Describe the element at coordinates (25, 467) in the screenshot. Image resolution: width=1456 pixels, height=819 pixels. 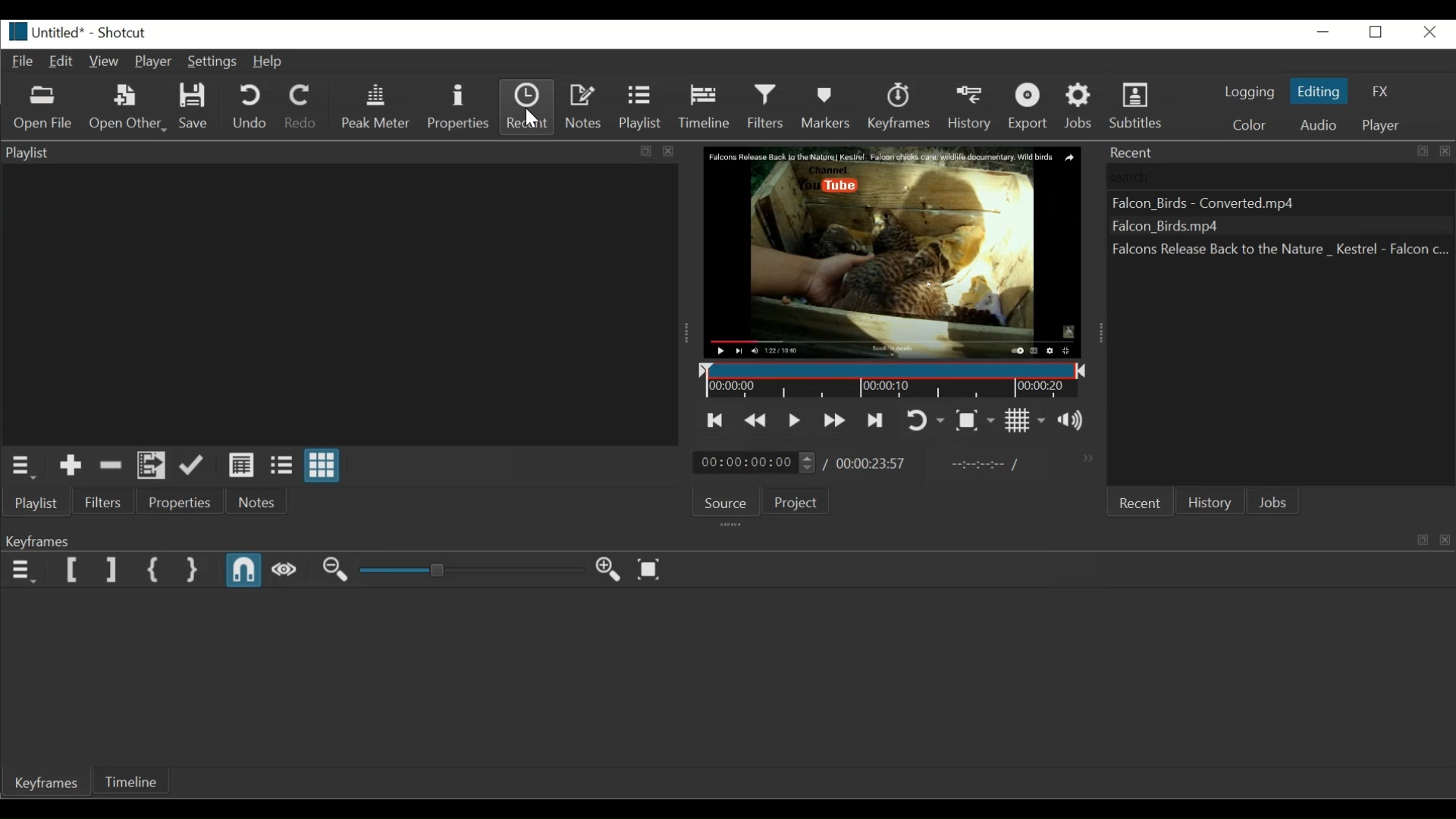
I see `Playlist Menu` at that location.